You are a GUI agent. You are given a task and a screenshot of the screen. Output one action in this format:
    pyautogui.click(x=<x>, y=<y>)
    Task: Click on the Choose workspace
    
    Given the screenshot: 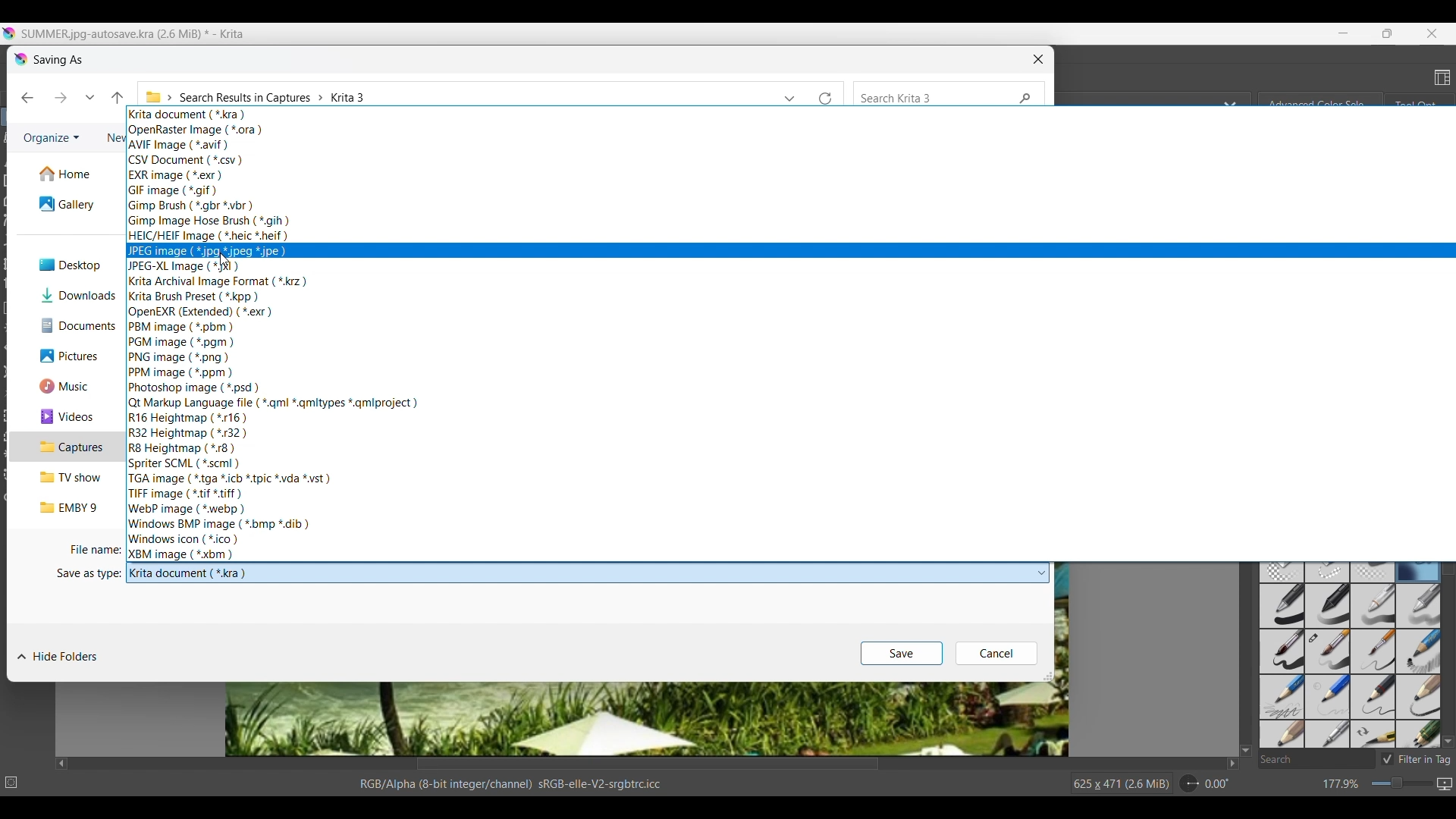 What is the action you would take?
    pyautogui.click(x=1438, y=76)
    